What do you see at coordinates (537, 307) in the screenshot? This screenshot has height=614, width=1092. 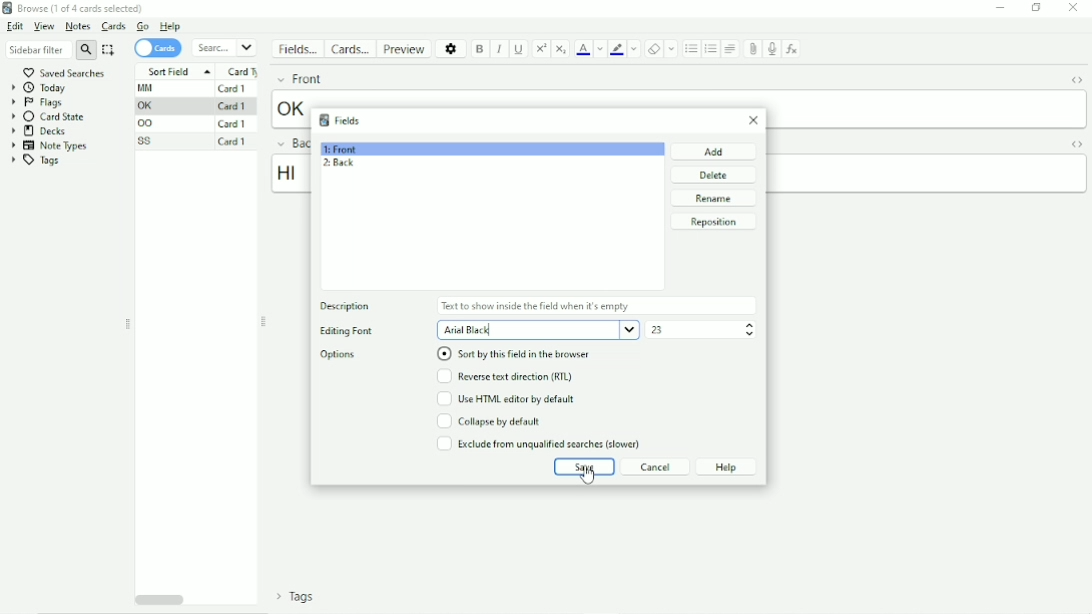 I see `Text to show inside the field when it's empty` at bounding box center [537, 307].